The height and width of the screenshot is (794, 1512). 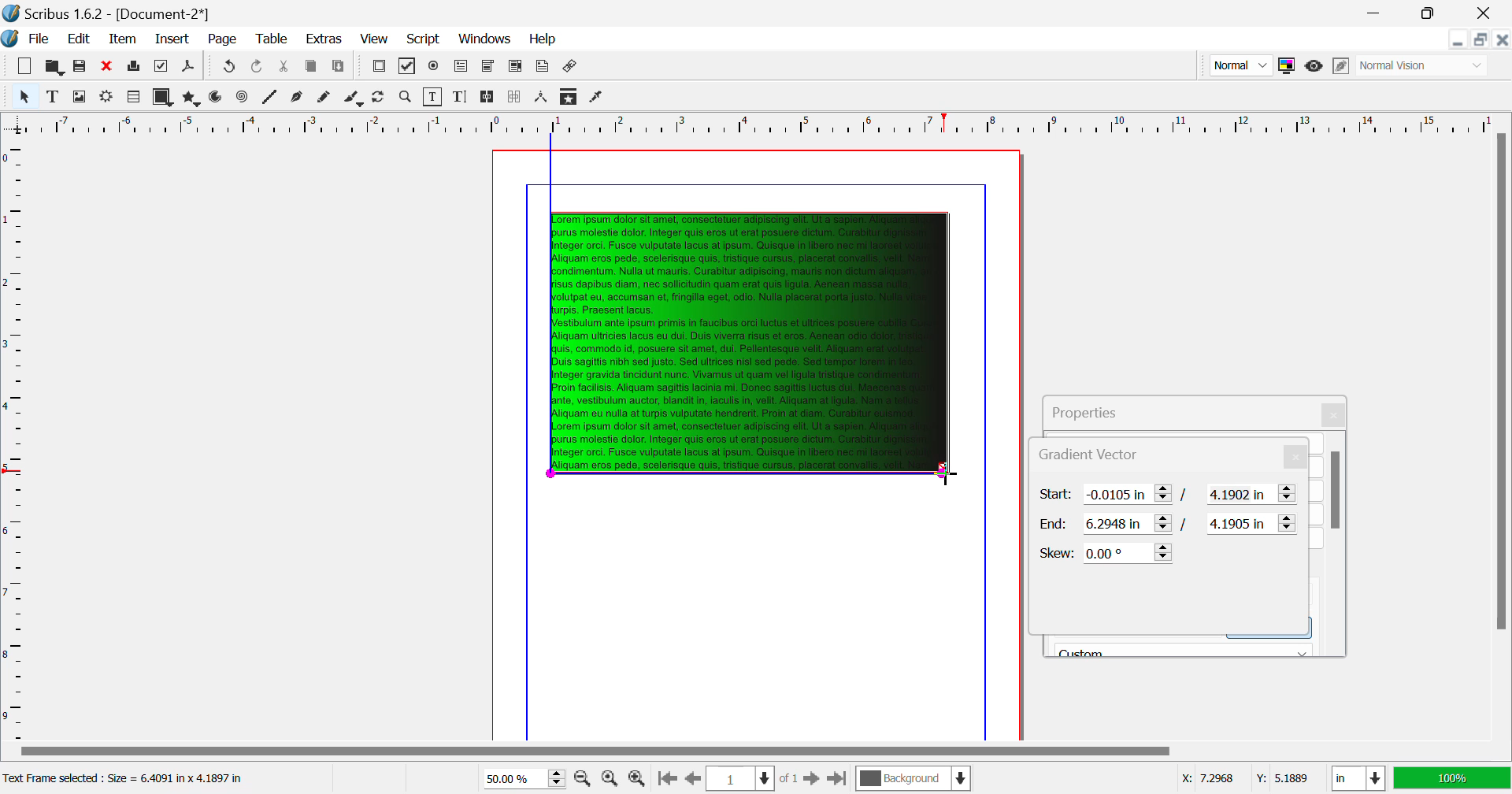 What do you see at coordinates (124, 39) in the screenshot?
I see `Item` at bounding box center [124, 39].